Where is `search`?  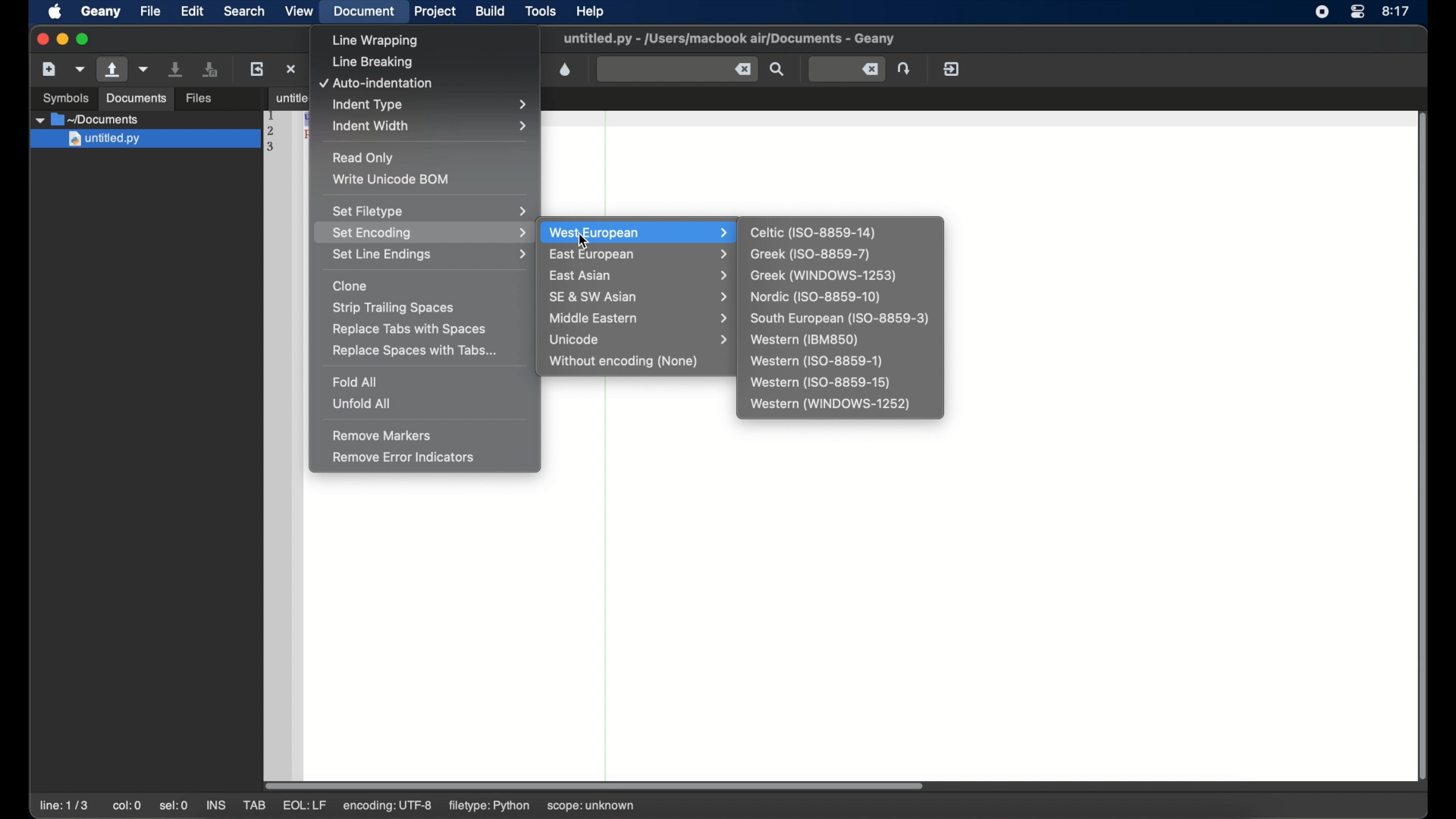
search is located at coordinates (244, 11).